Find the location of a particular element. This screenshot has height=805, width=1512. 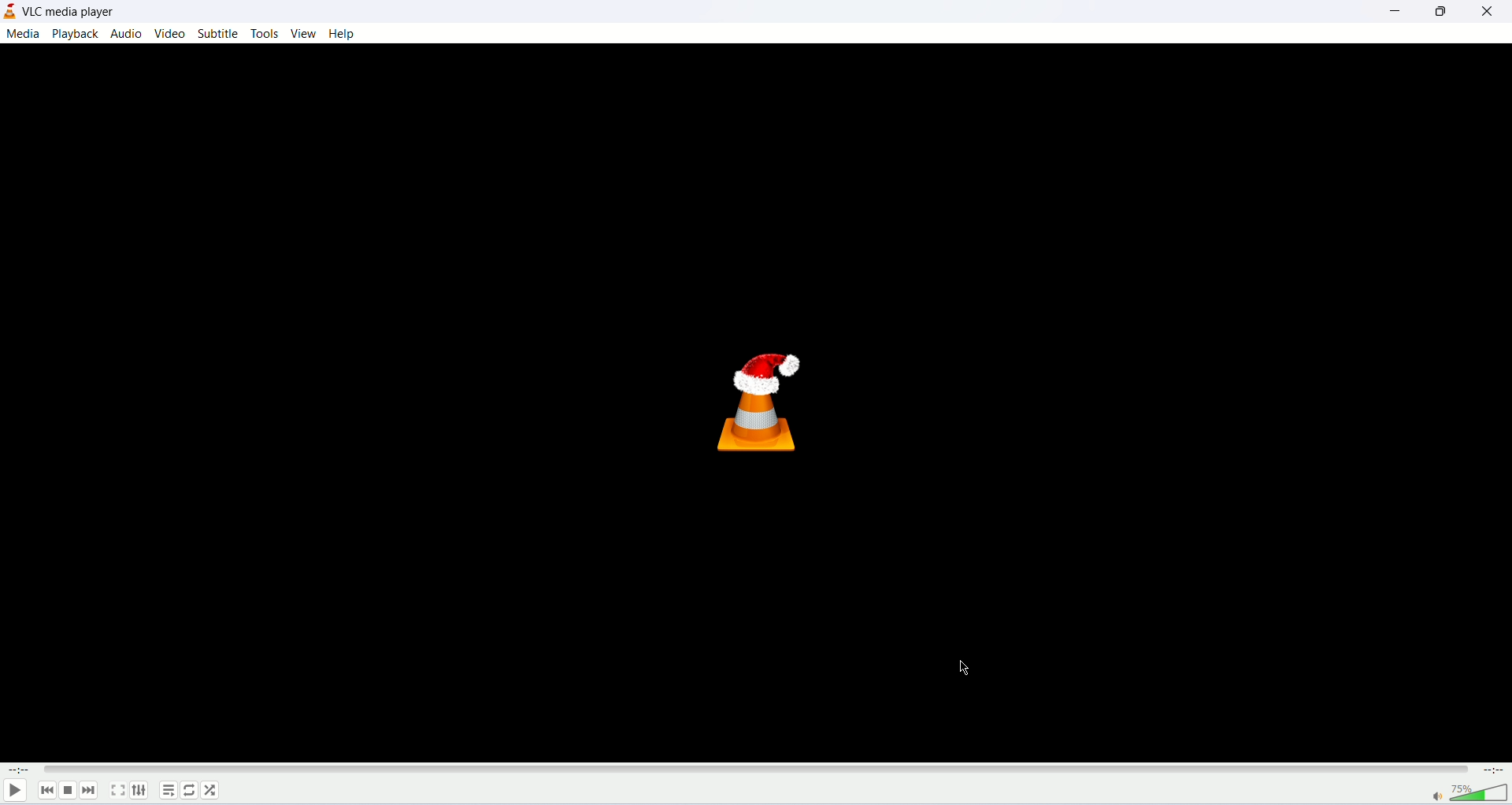

played time is located at coordinates (15, 771).